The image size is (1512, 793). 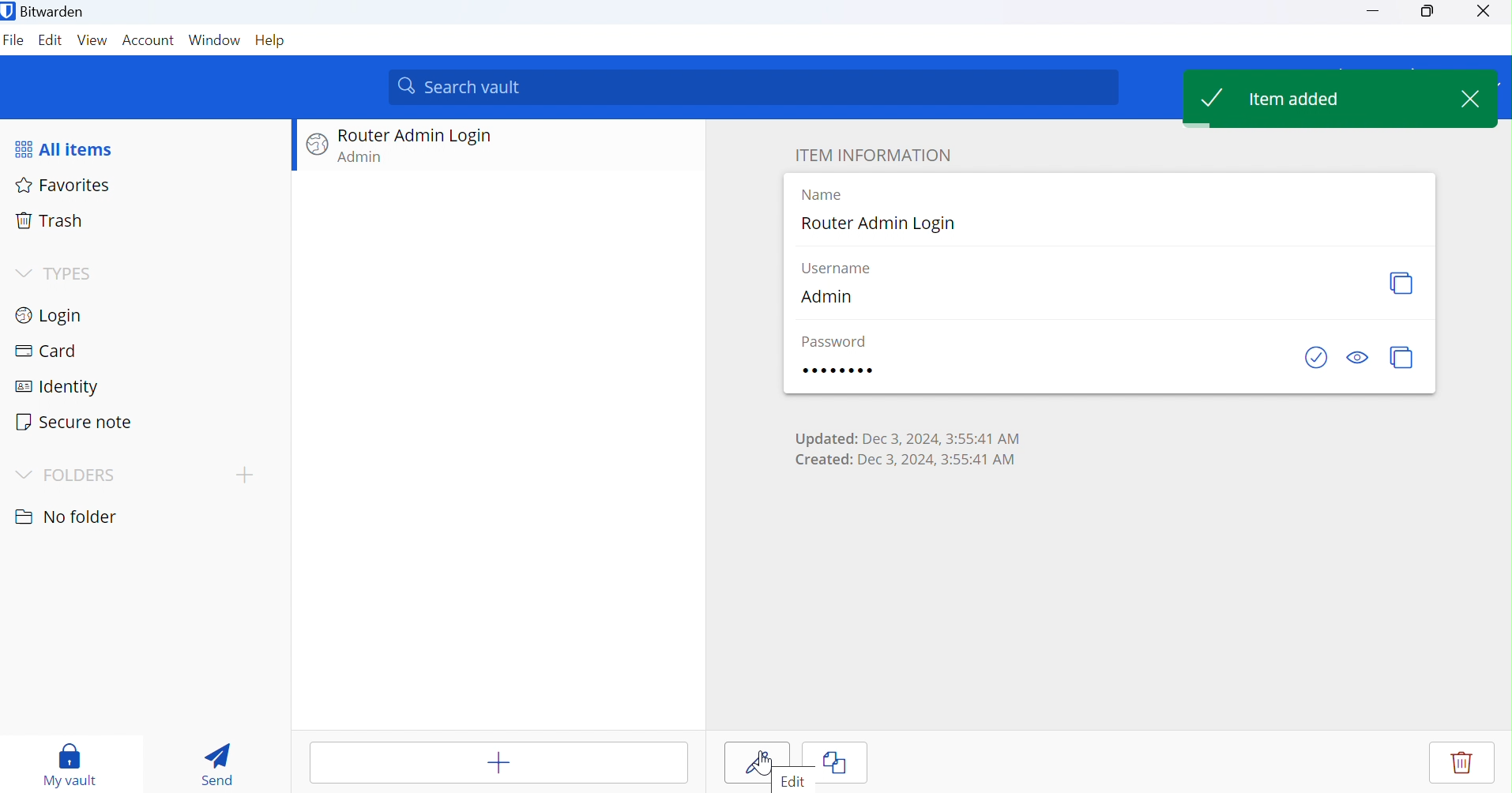 I want to click on Trash, so click(x=51, y=223).